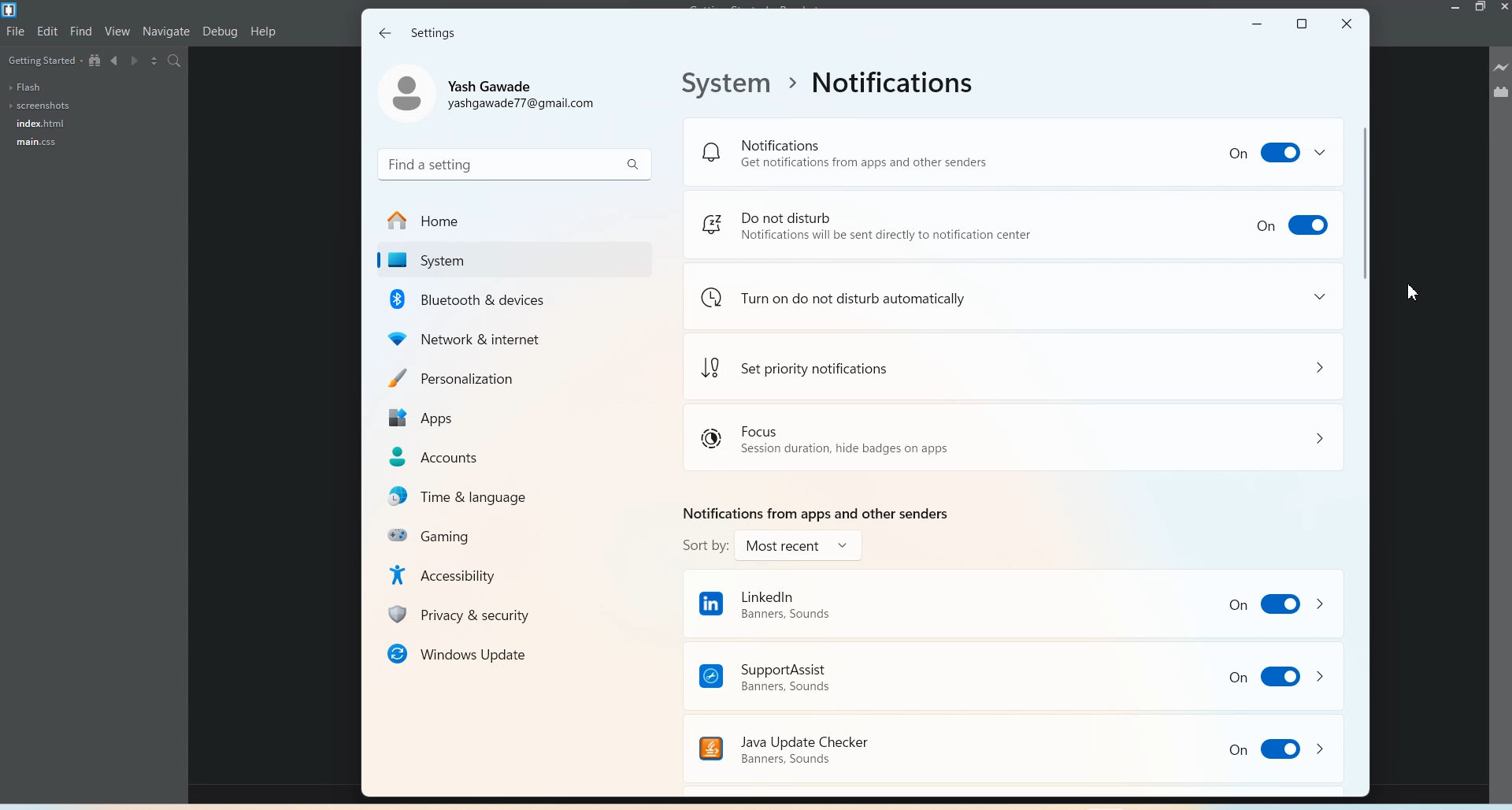 The width and height of the screenshot is (1512, 810). What do you see at coordinates (1501, 67) in the screenshot?
I see `Live Preview` at bounding box center [1501, 67].